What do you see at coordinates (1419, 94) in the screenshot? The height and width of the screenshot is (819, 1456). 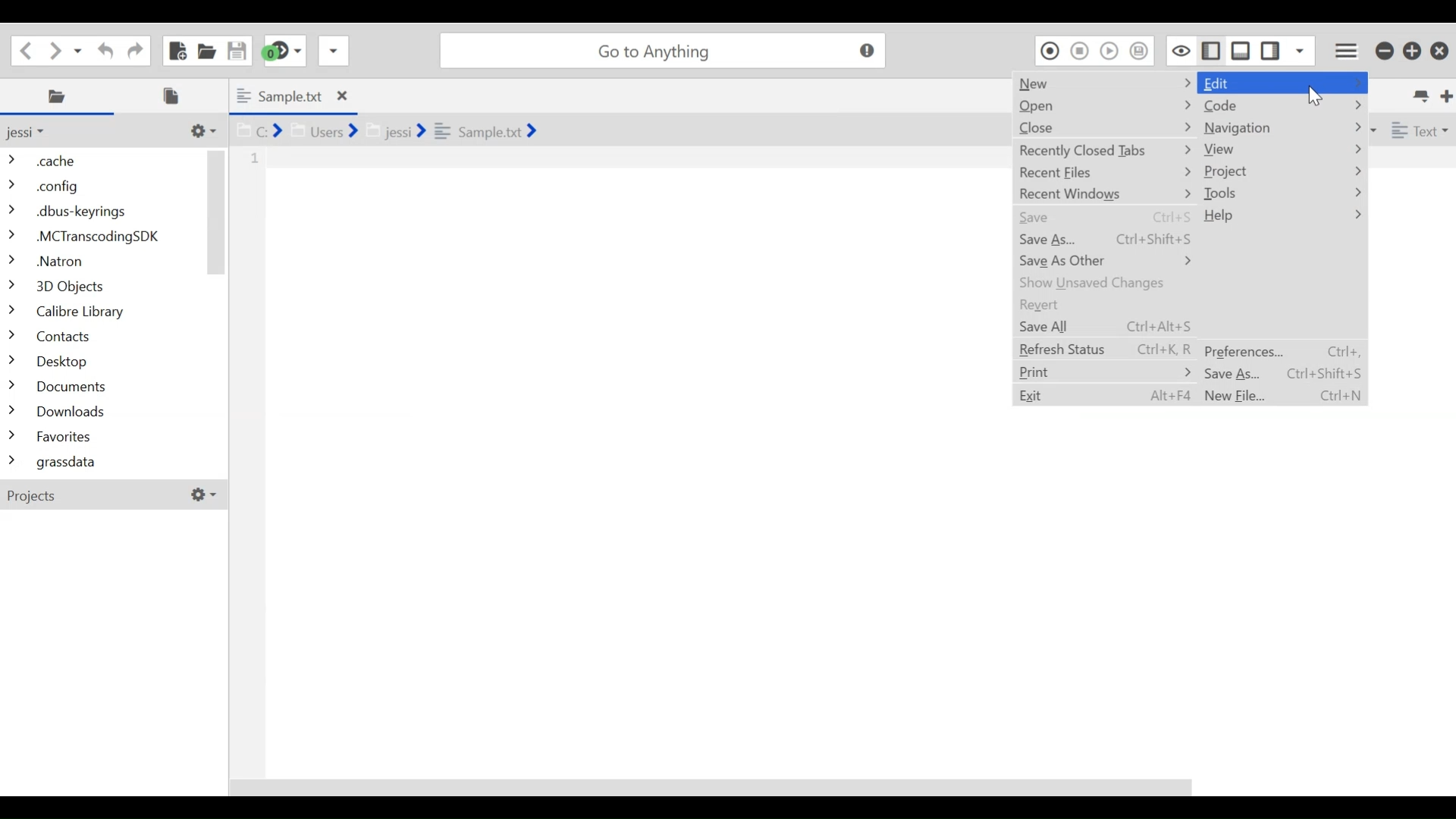 I see `List all tabs` at bounding box center [1419, 94].